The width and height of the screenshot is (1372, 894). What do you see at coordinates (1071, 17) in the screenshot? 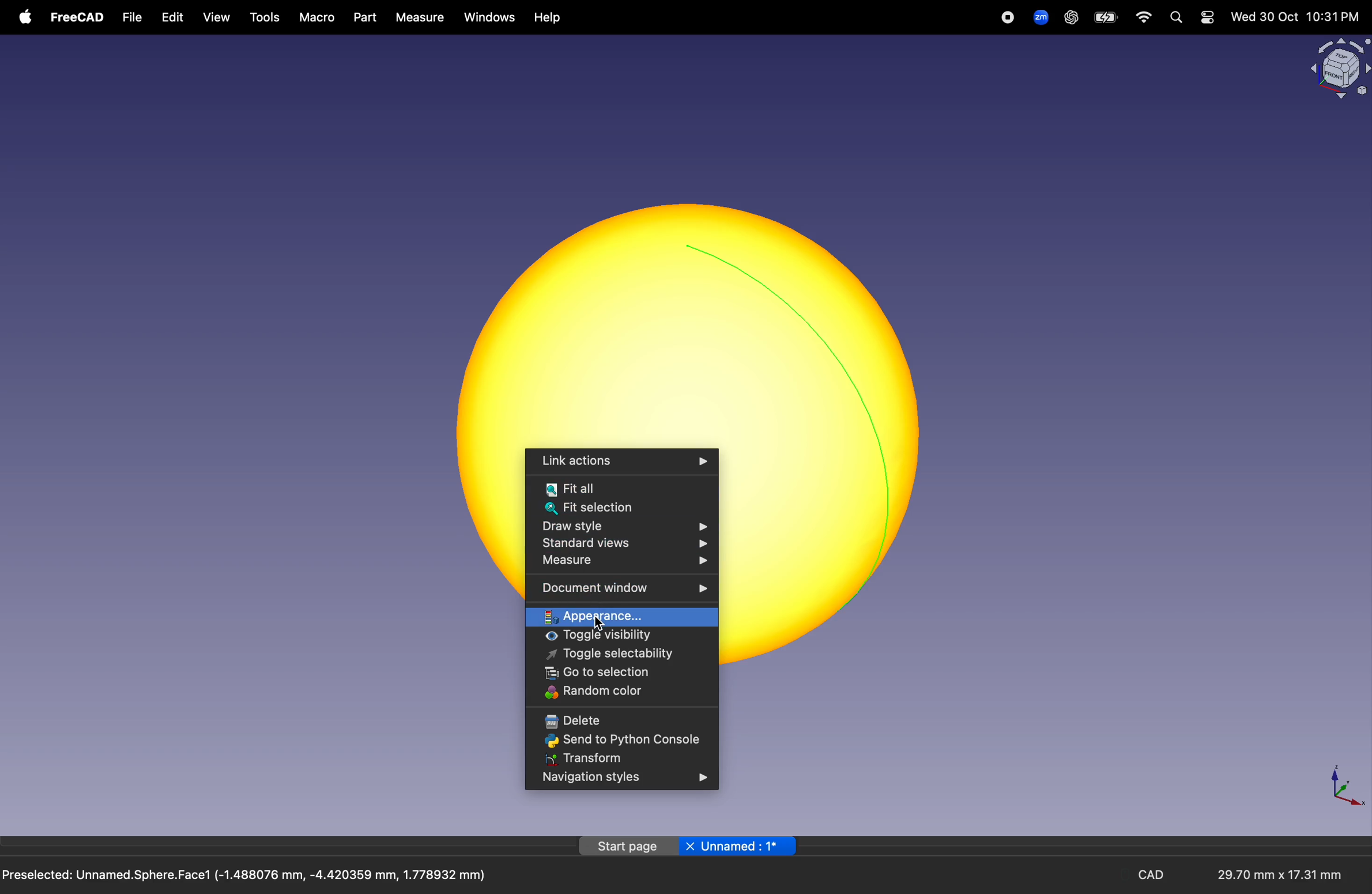
I see `chatgpt` at bounding box center [1071, 17].